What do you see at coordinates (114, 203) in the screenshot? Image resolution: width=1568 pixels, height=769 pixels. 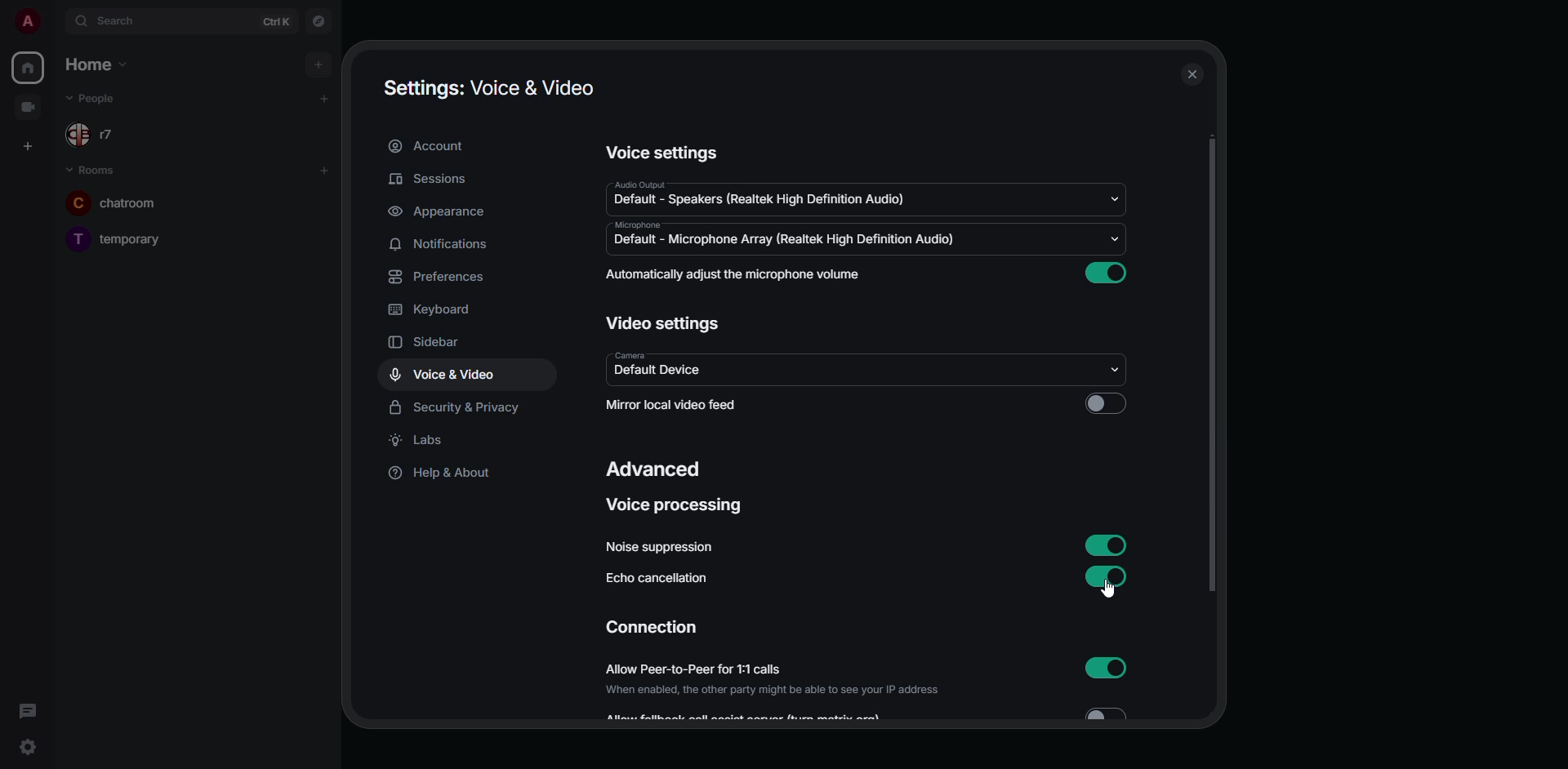 I see `room` at bounding box center [114, 203].